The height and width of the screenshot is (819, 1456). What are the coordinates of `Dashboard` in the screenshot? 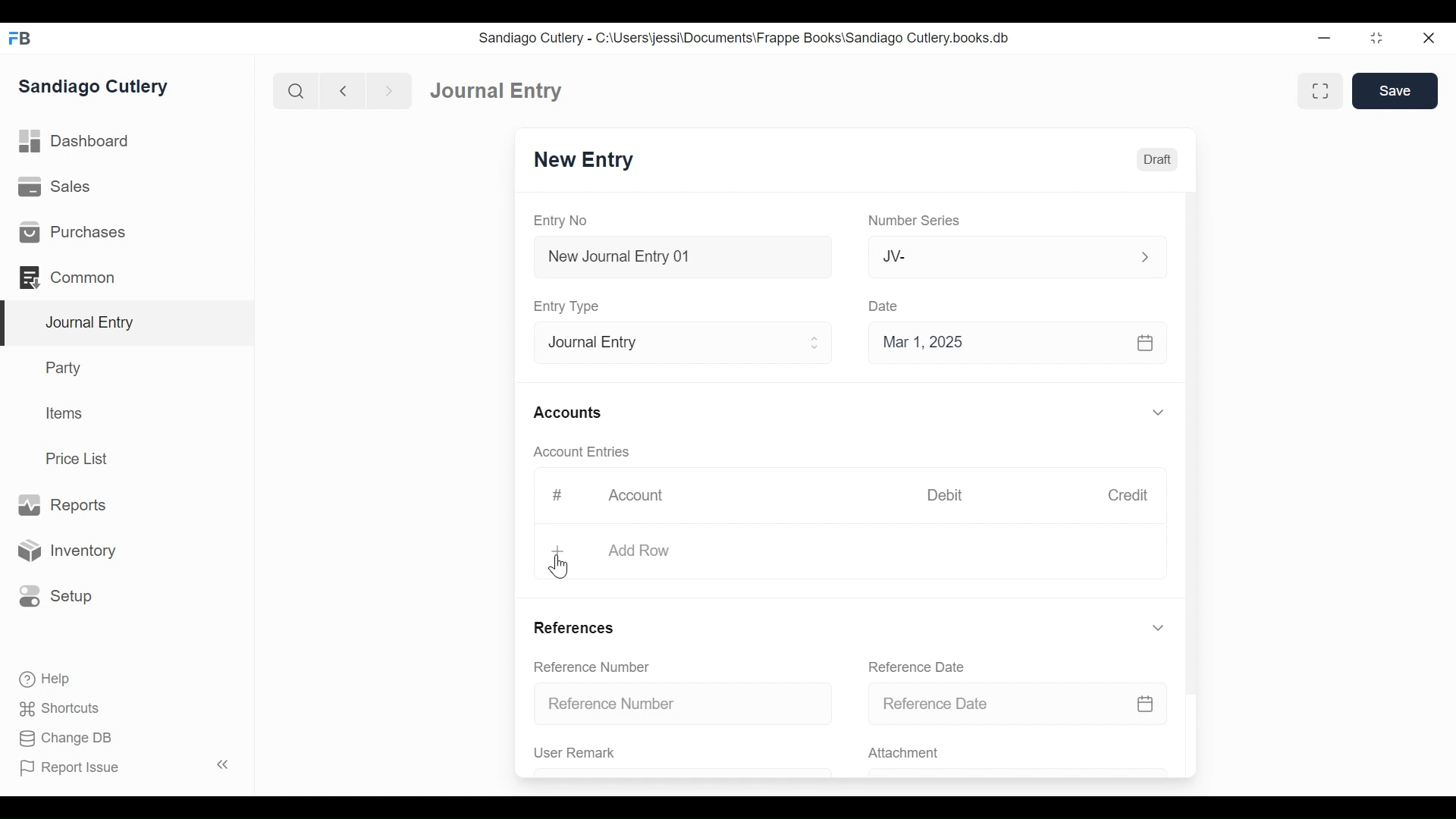 It's located at (491, 89).